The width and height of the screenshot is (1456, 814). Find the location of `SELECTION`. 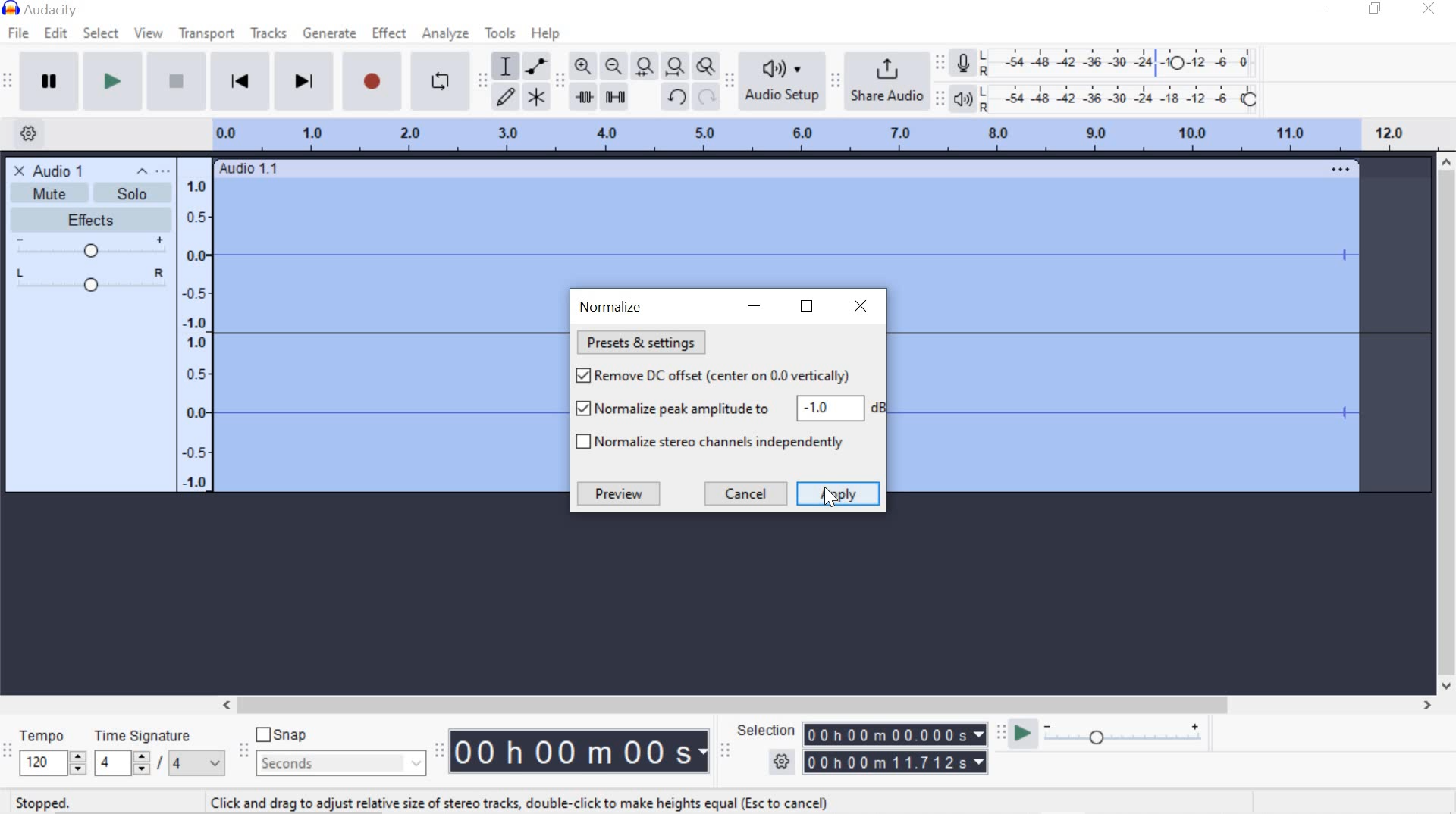

SELECTION is located at coordinates (768, 731).